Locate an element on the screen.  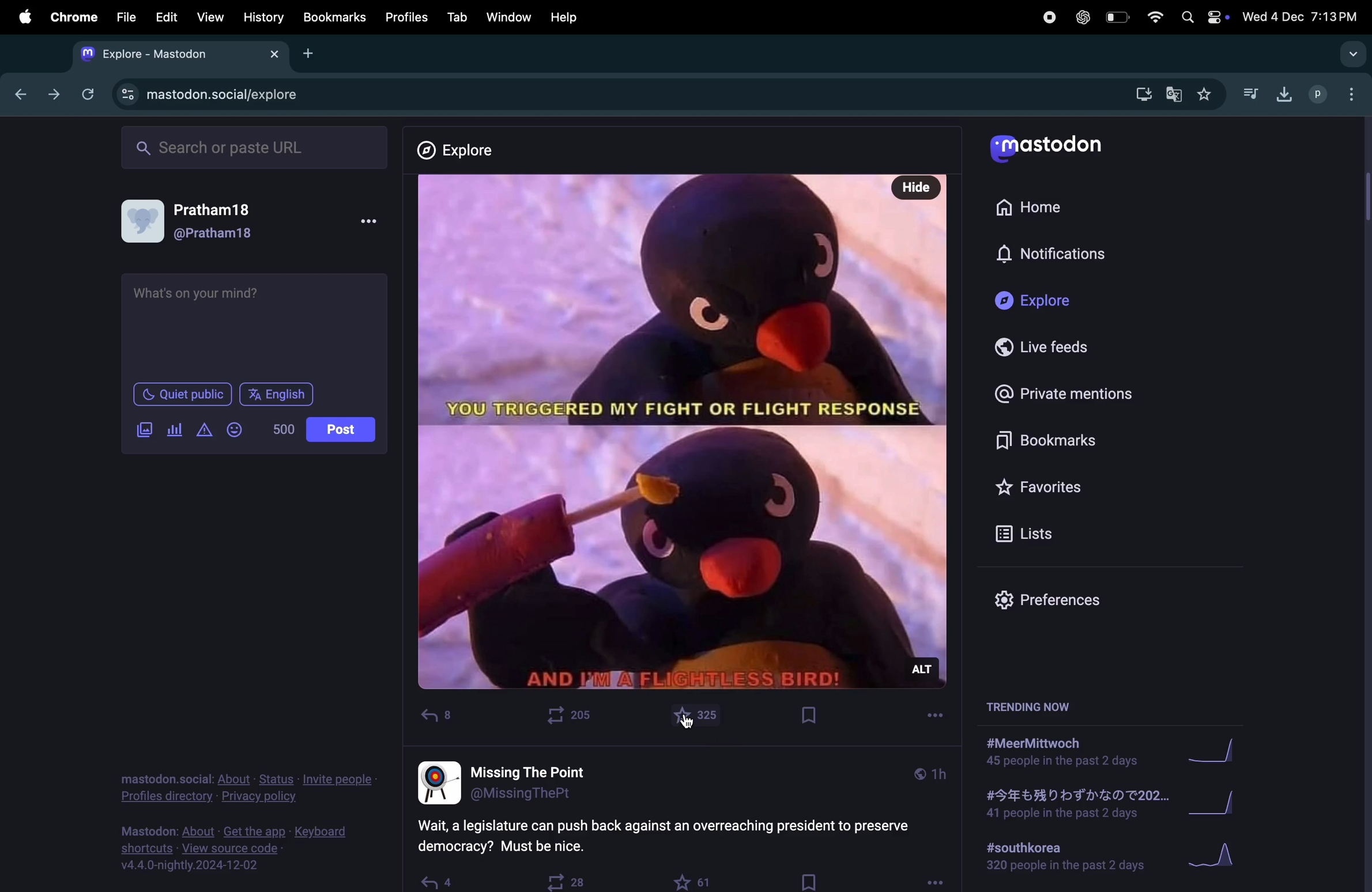
Post is located at coordinates (680, 432).